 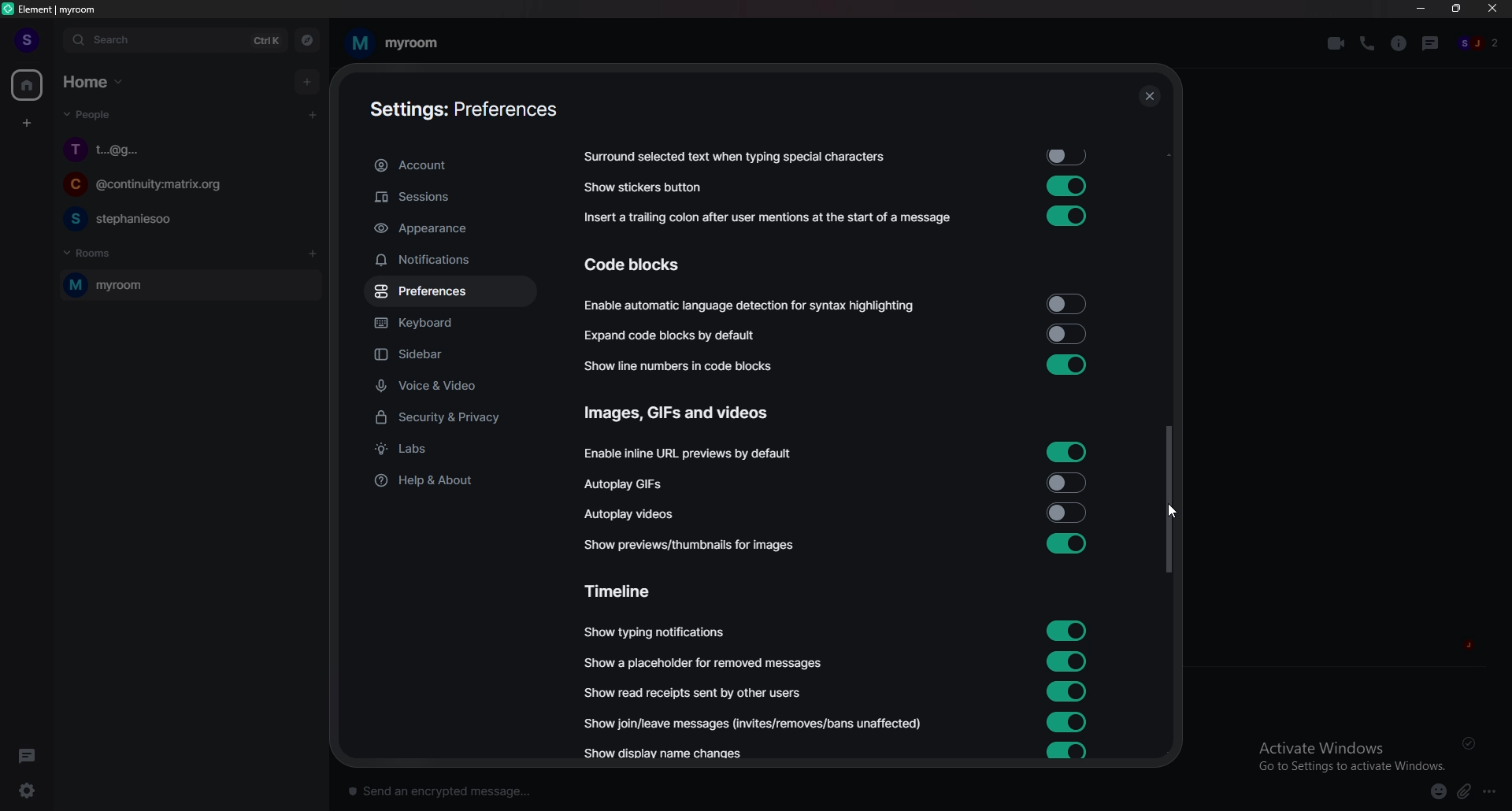 What do you see at coordinates (455, 356) in the screenshot?
I see `sidebar` at bounding box center [455, 356].